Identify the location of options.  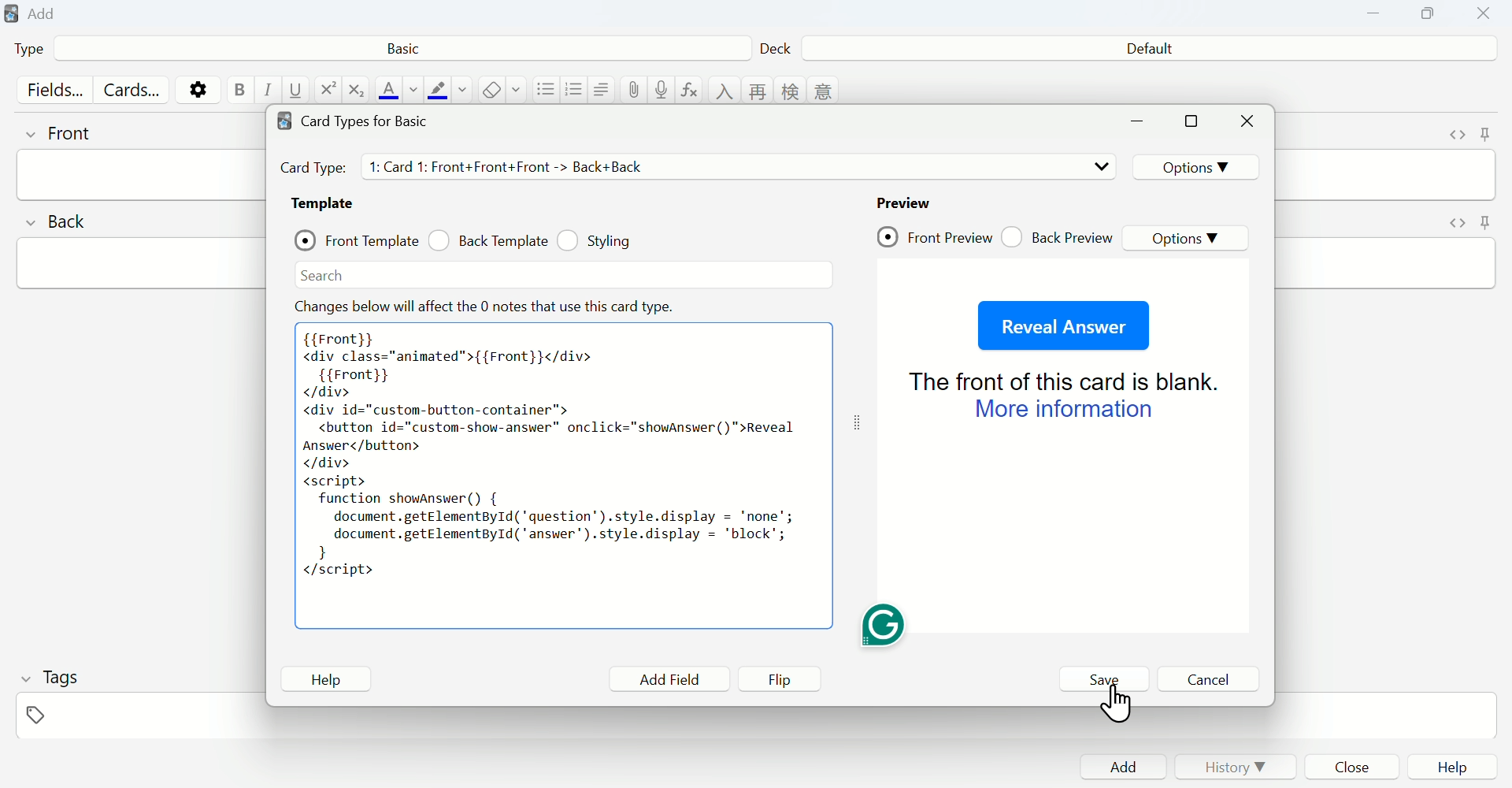
(197, 90).